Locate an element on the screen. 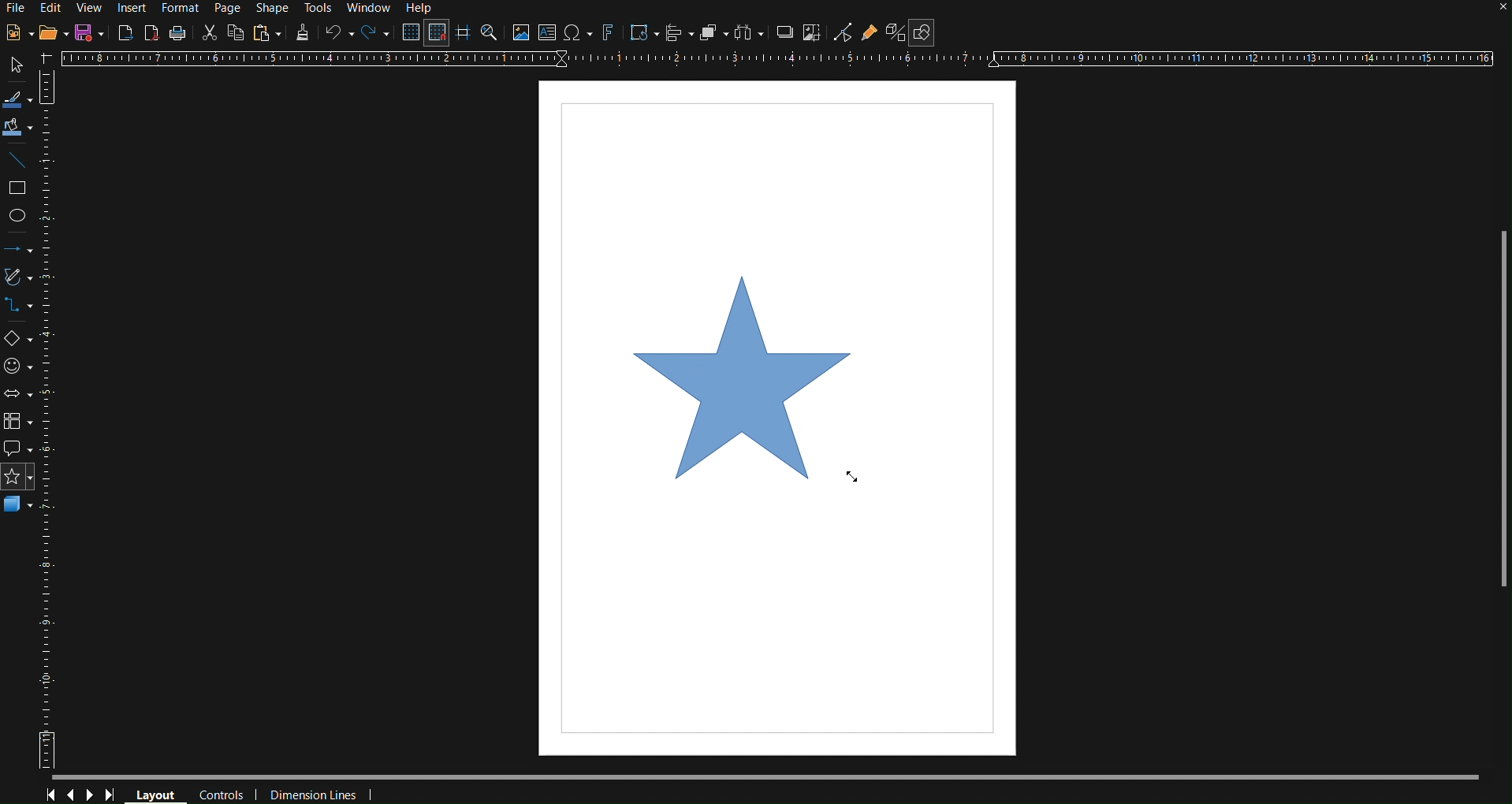 The image size is (1512, 804). Insert Image is located at coordinates (521, 35).